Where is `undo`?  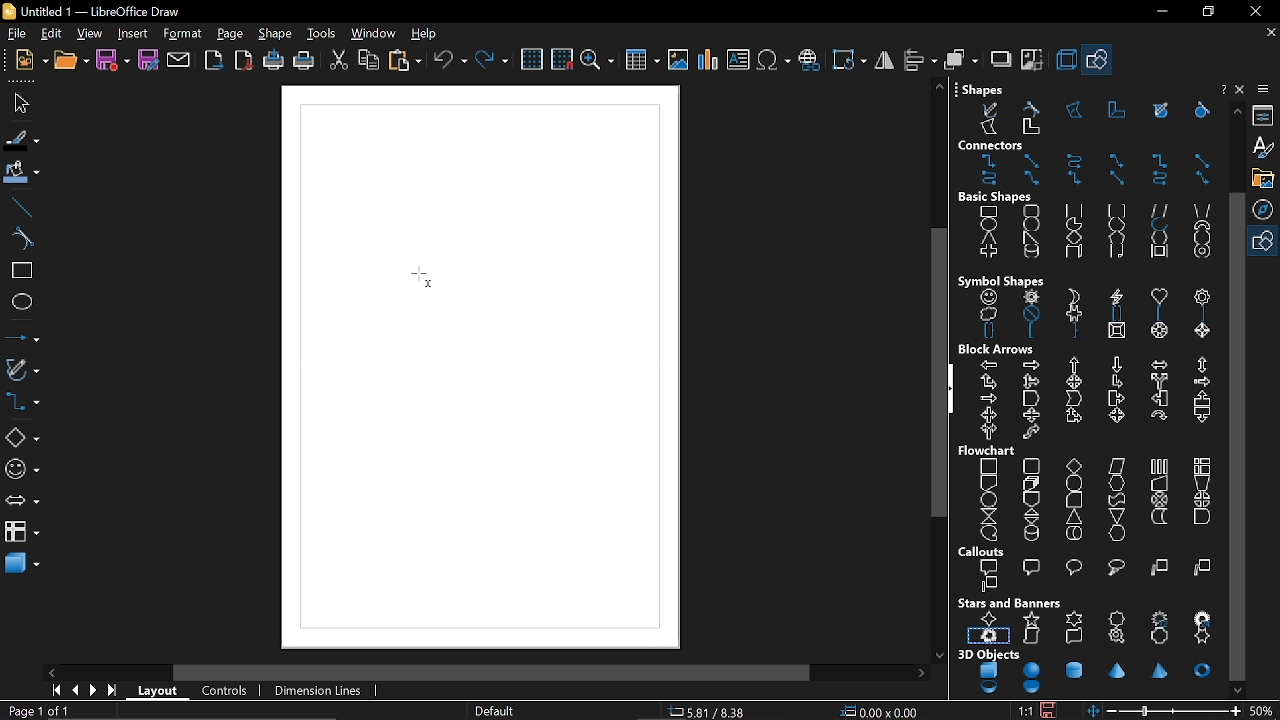 undo is located at coordinates (450, 61).